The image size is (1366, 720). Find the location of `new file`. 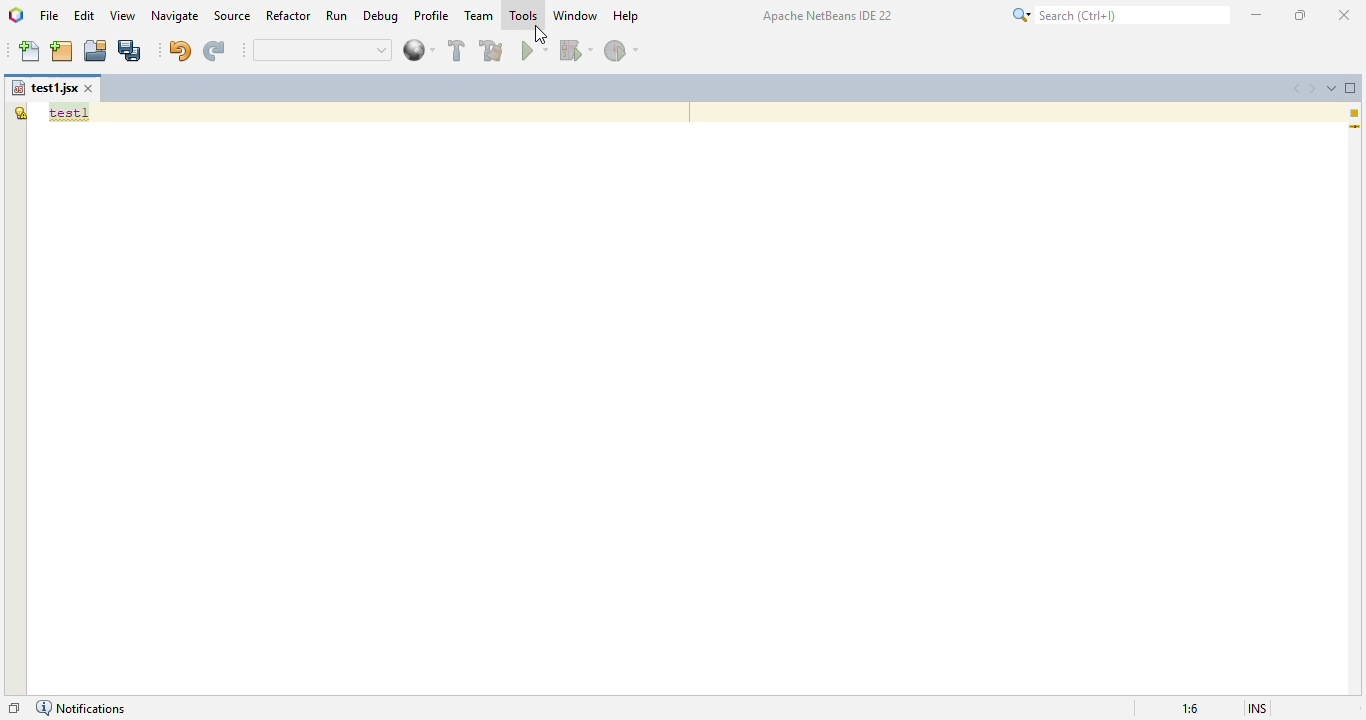

new file is located at coordinates (31, 51).